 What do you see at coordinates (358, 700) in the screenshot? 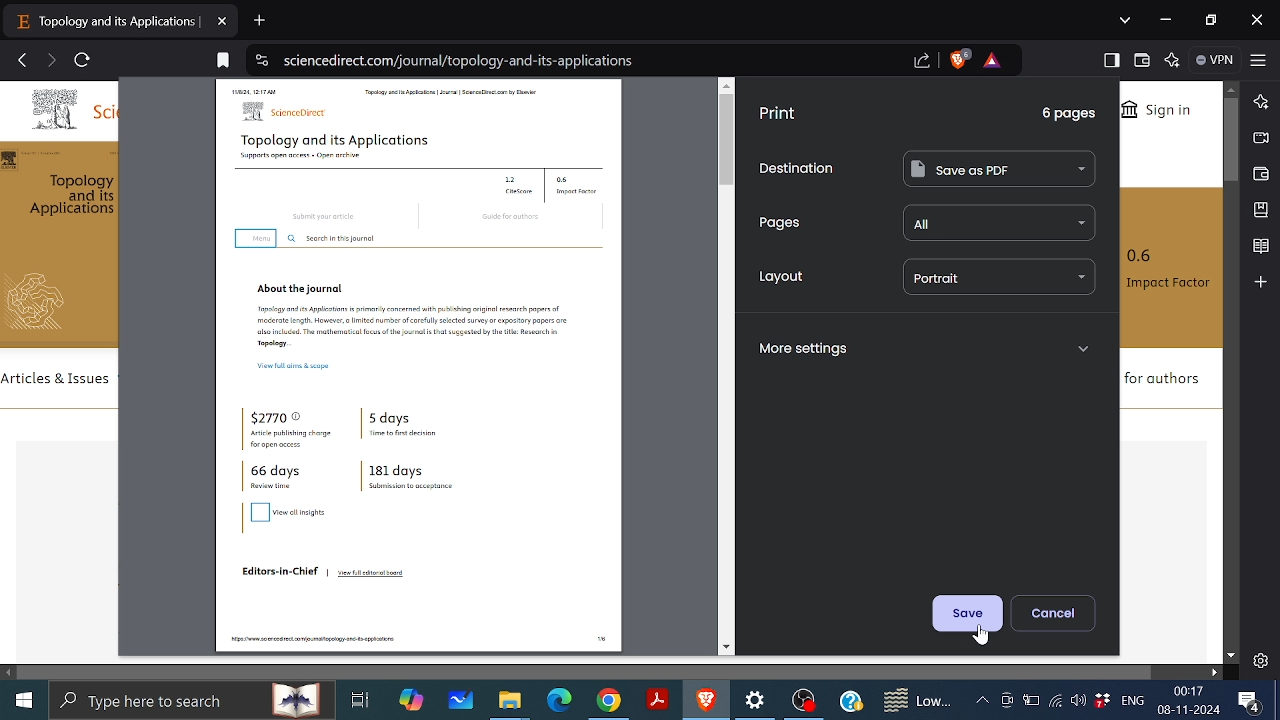
I see `Task View` at bounding box center [358, 700].